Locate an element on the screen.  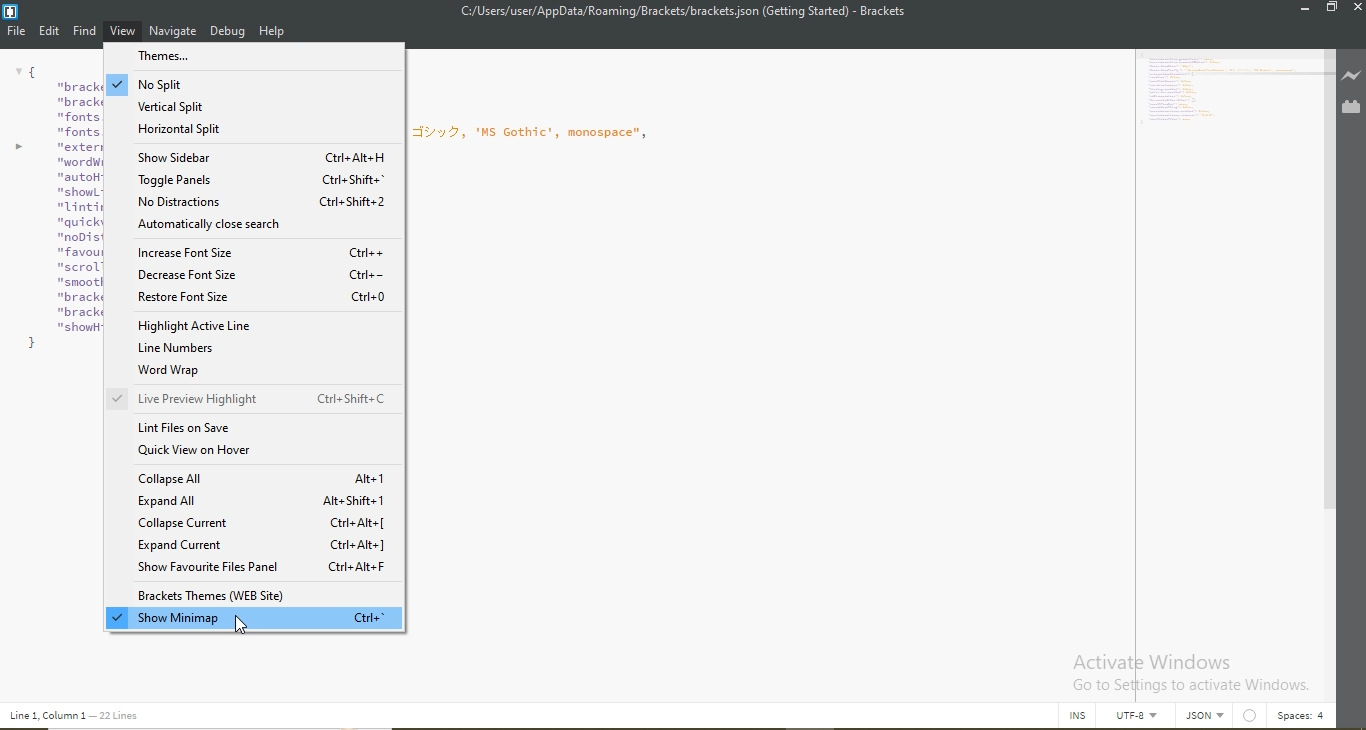
Find is located at coordinates (85, 31).